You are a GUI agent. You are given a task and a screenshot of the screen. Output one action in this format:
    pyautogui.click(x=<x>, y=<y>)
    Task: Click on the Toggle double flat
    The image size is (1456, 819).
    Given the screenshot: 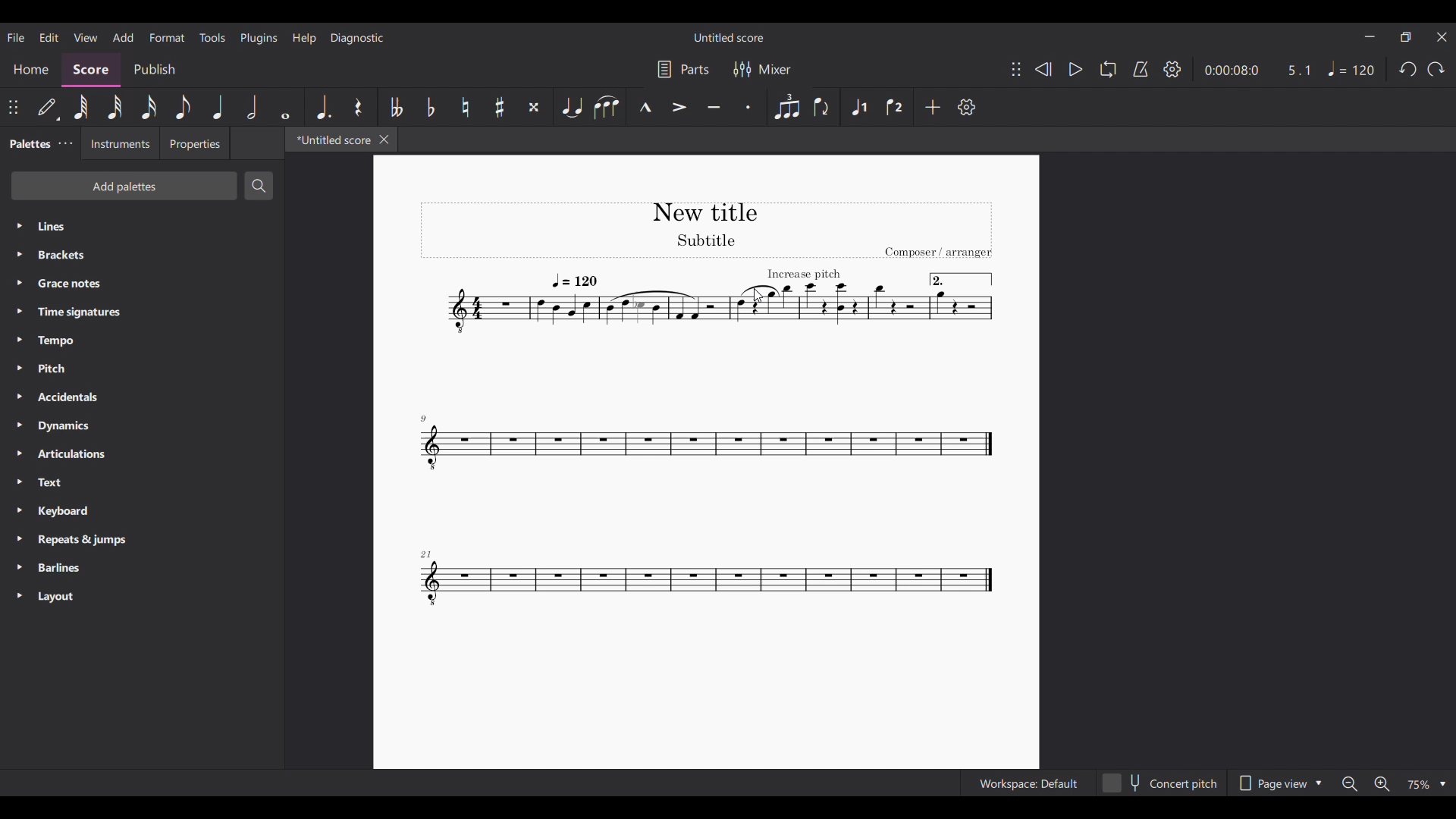 What is the action you would take?
    pyautogui.click(x=397, y=107)
    